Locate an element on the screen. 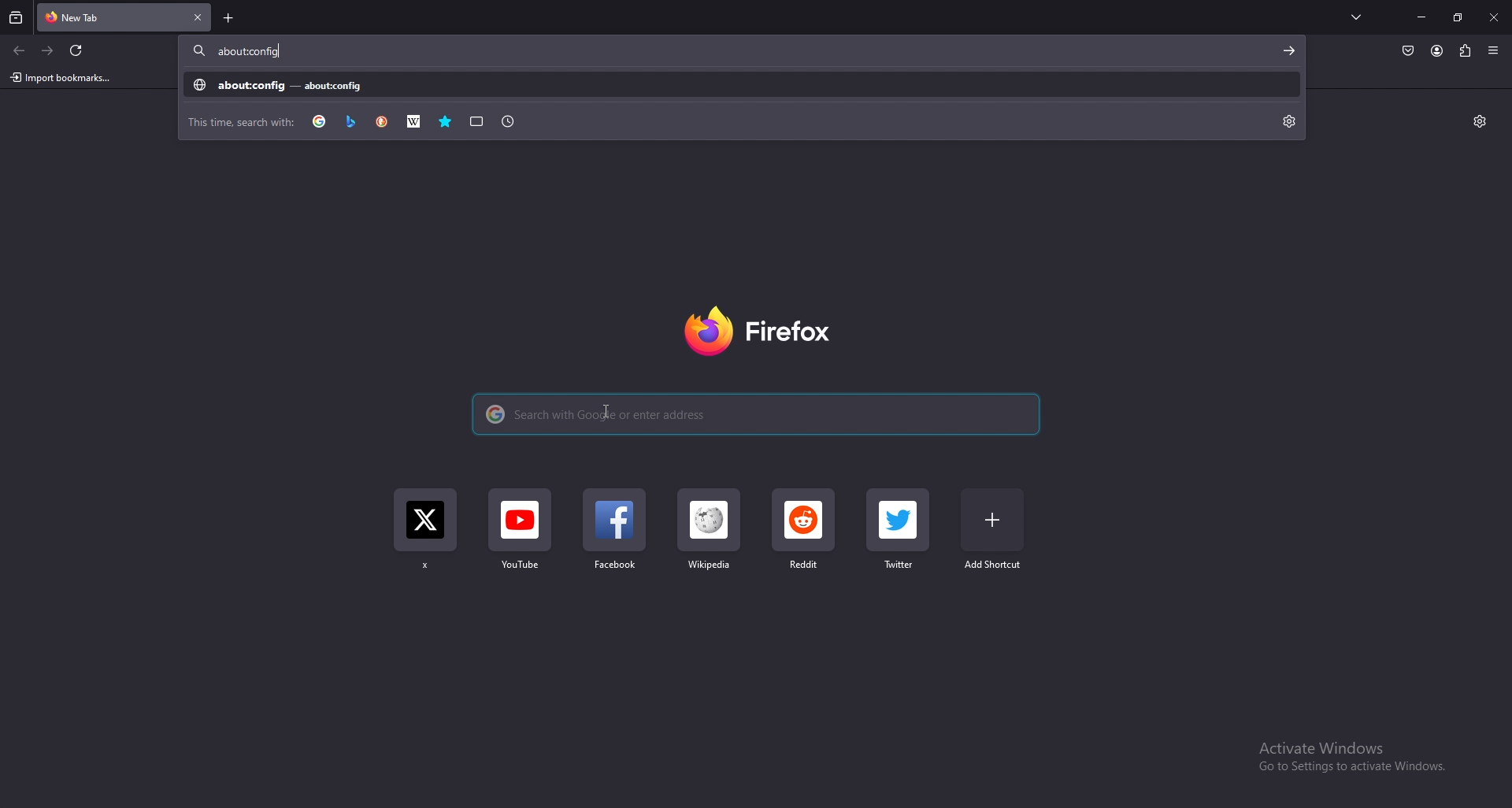 The width and height of the screenshot is (1512, 808). change search settings is located at coordinates (1290, 121).